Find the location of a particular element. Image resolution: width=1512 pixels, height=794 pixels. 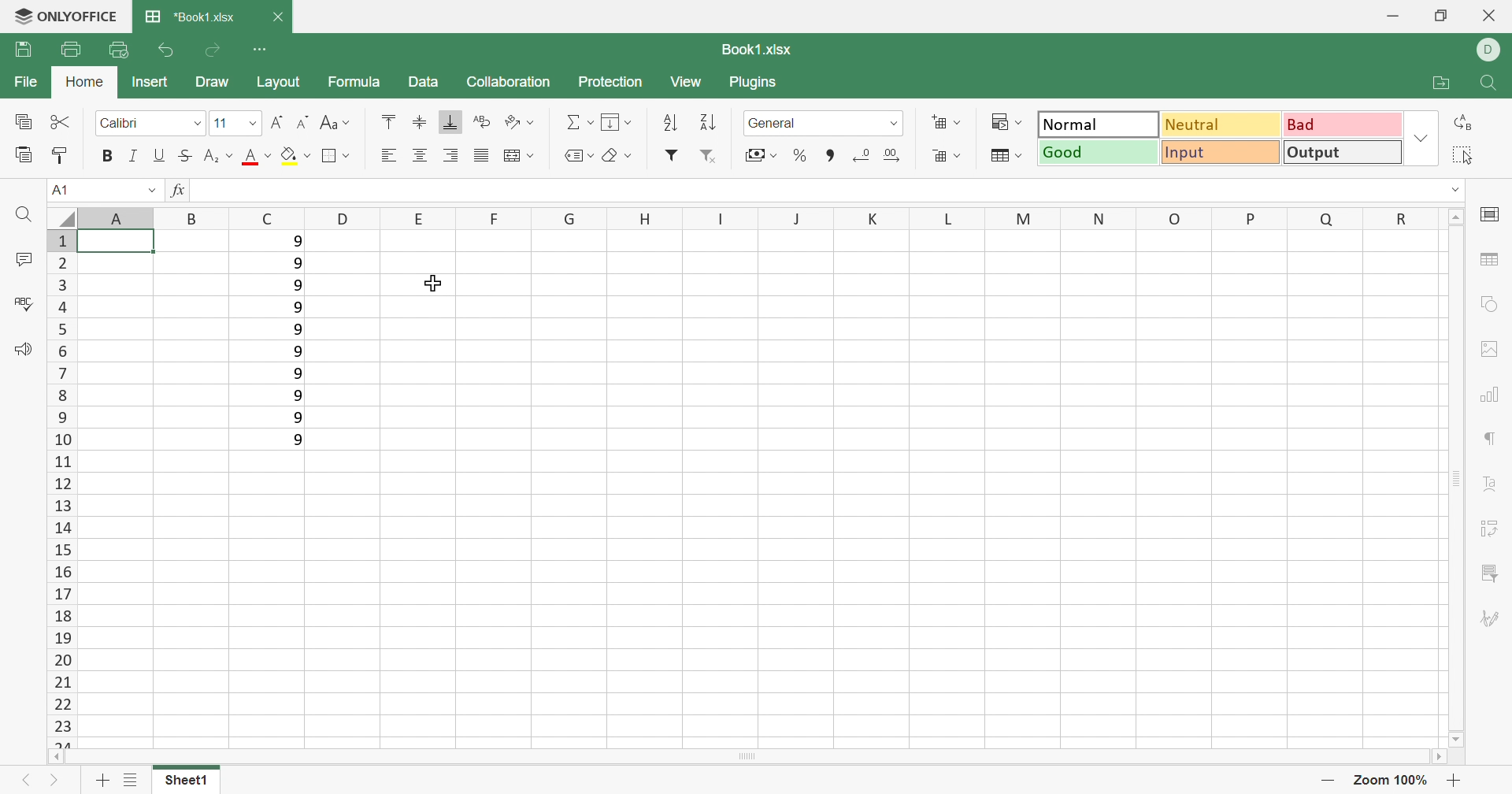

Find is located at coordinates (1490, 83).